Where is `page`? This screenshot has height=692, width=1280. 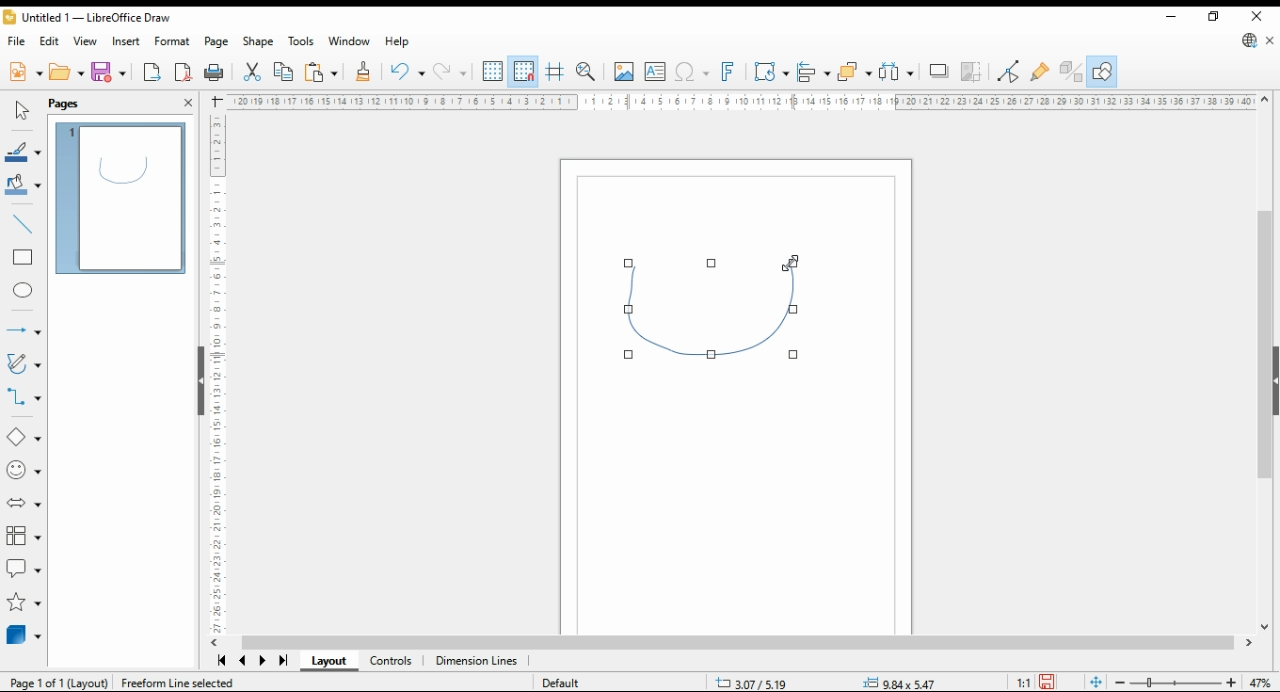 page is located at coordinates (217, 42).